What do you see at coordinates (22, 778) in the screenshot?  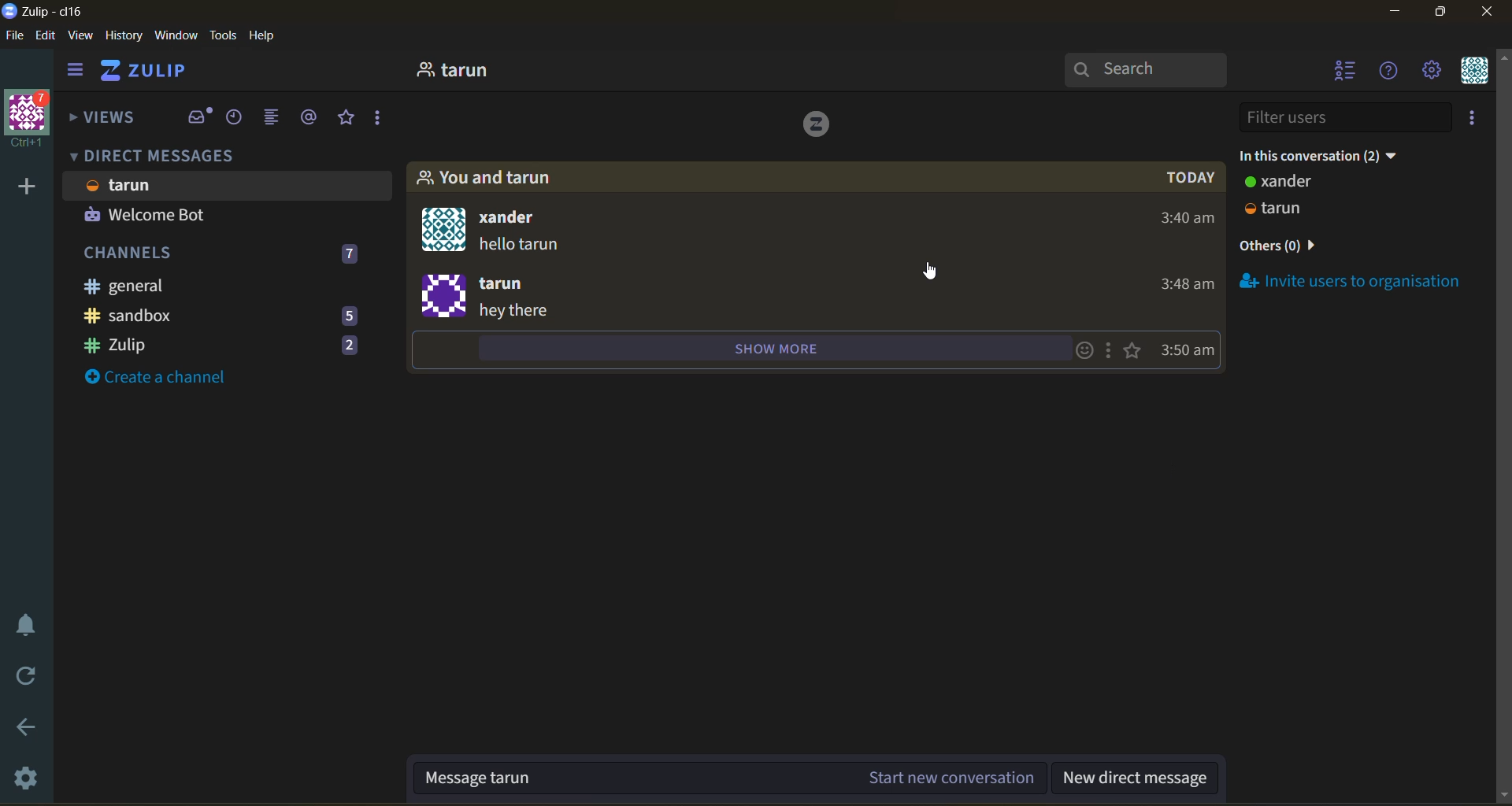 I see `settings` at bounding box center [22, 778].